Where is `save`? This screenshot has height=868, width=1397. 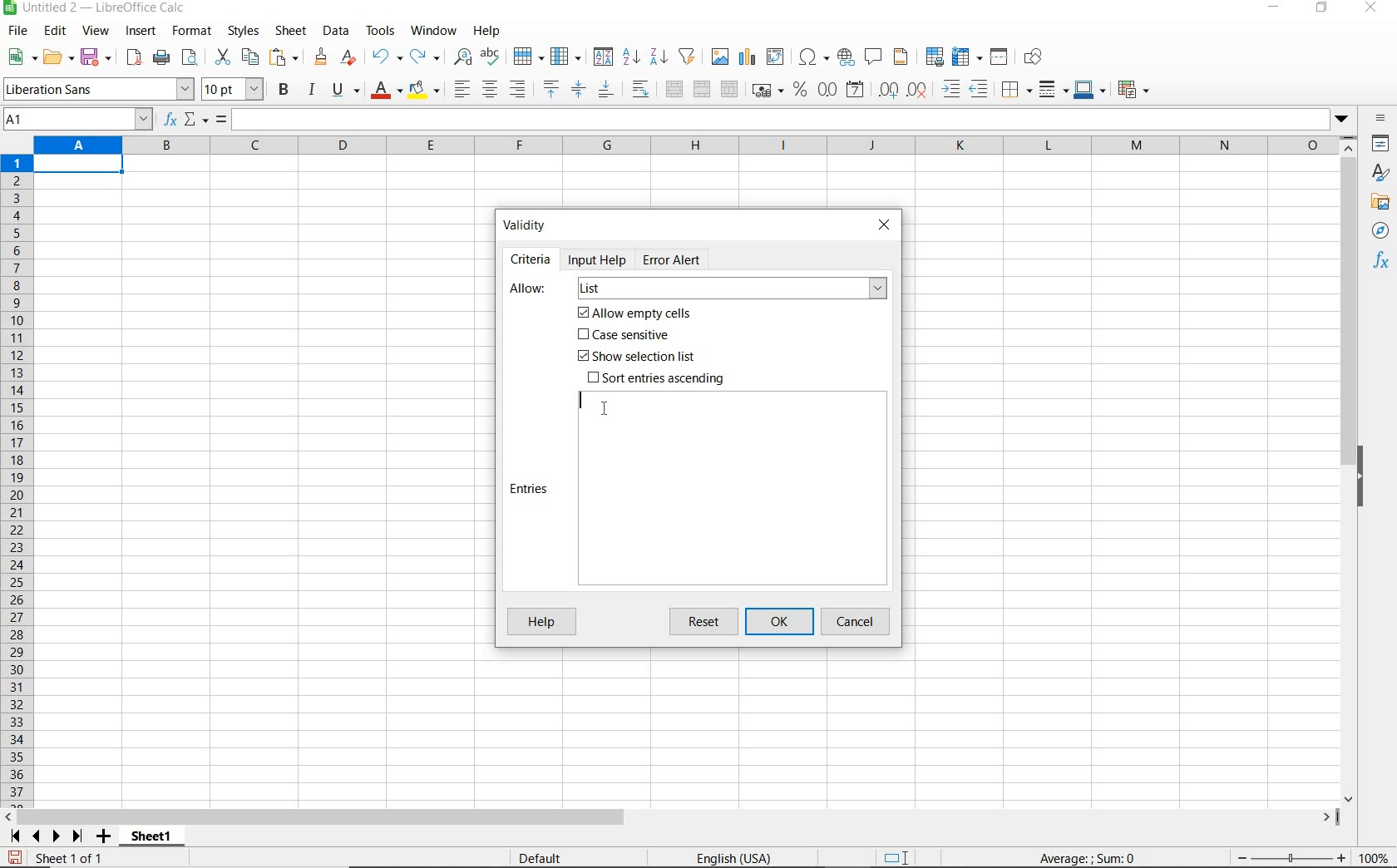
save is located at coordinates (15, 858).